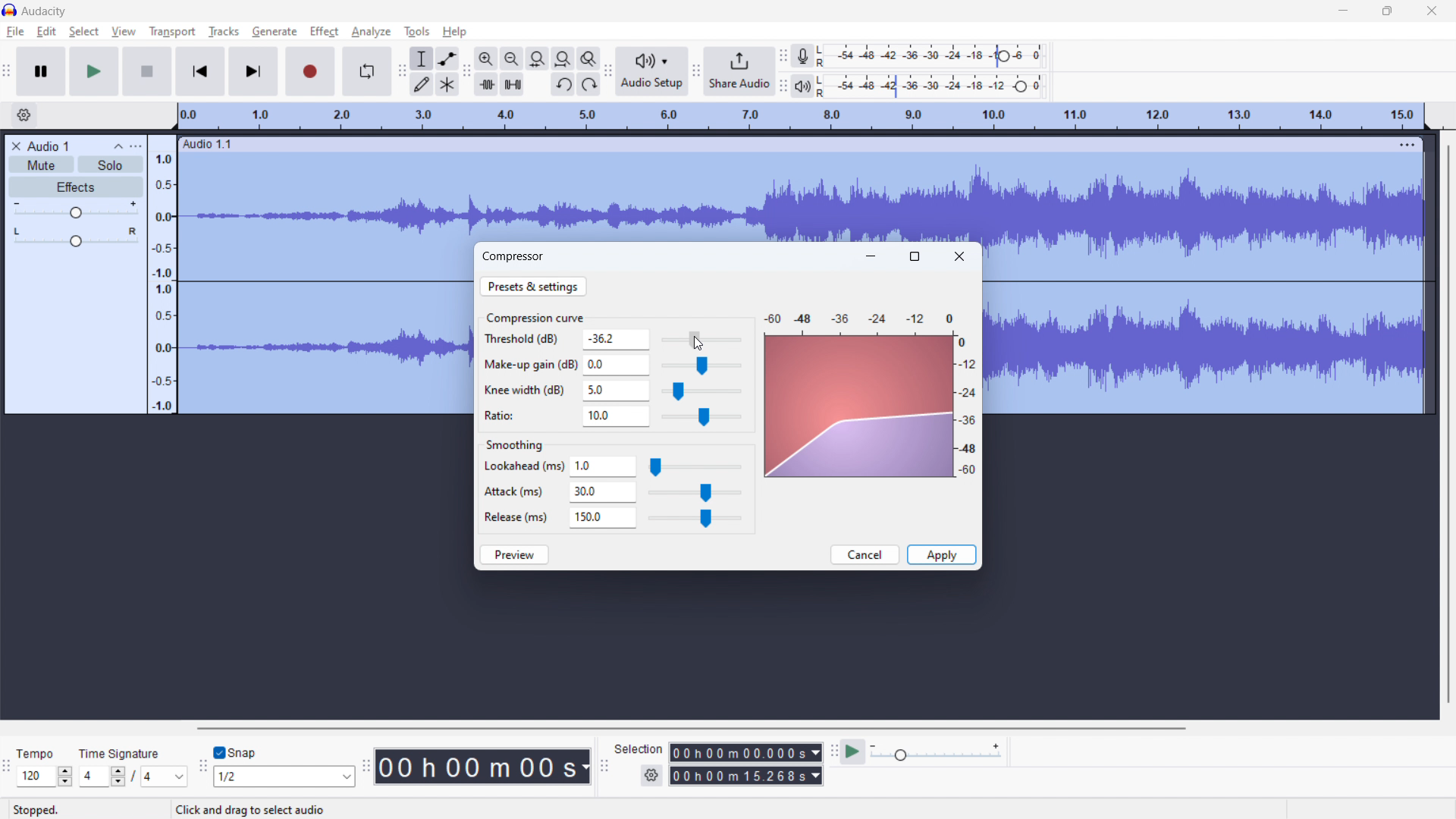 This screenshot has width=1456, height=819. I want to click on playback level, so click(940, 87).